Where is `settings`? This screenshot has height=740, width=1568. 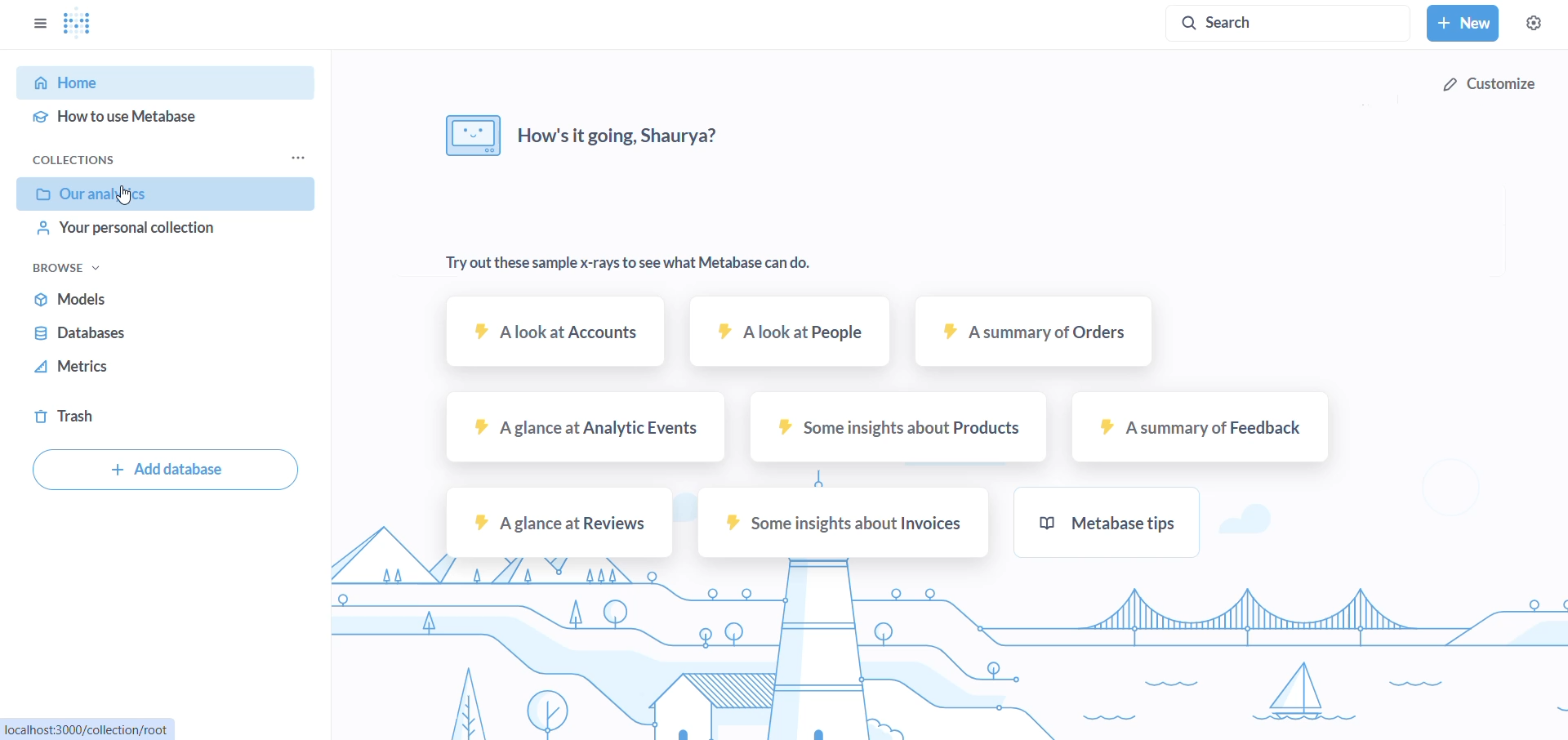 settings is located at coordinates (1532, 23).